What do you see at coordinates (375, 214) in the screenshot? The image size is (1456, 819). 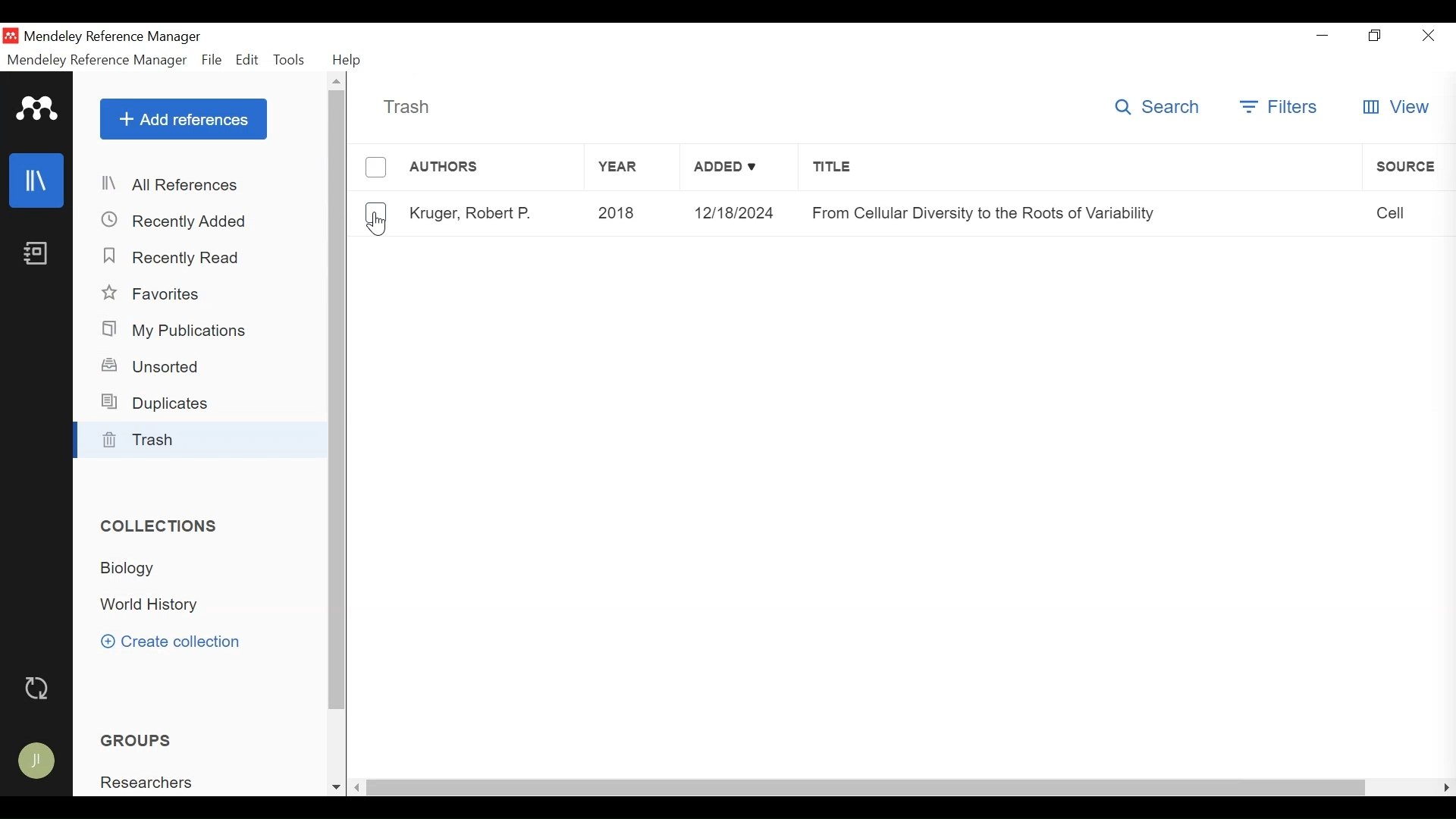 I see `(un)select` at bounding box center [375, 214].